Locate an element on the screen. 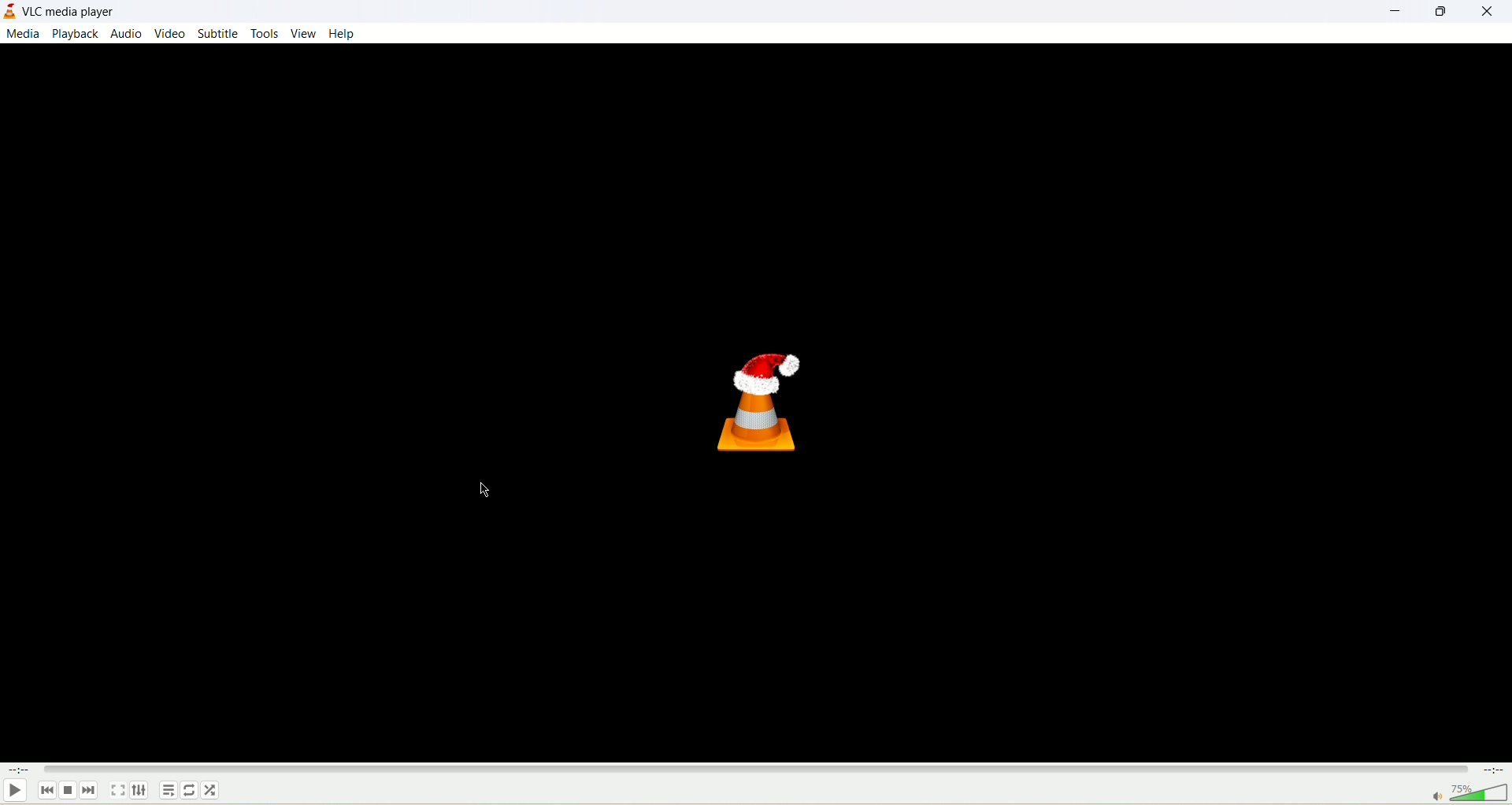 This screenshot has height=805, width=1512. volume bar is located at coordinates (1480, 794).